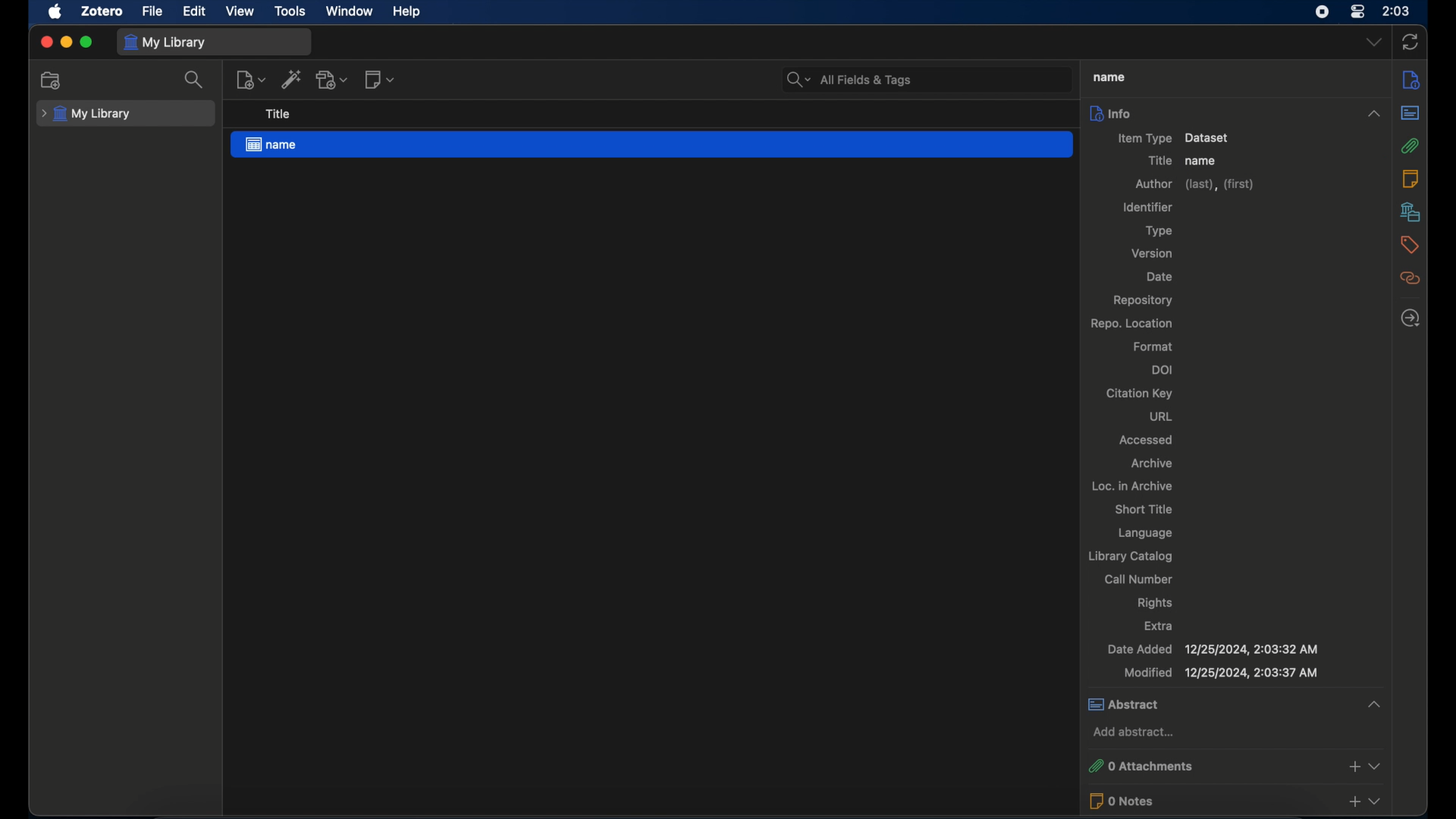 The height and width of the screenshot is (819, 1456). Describe the element at coordinates (848, 80) in the screenshot. I see `all fields & tags` at that location.